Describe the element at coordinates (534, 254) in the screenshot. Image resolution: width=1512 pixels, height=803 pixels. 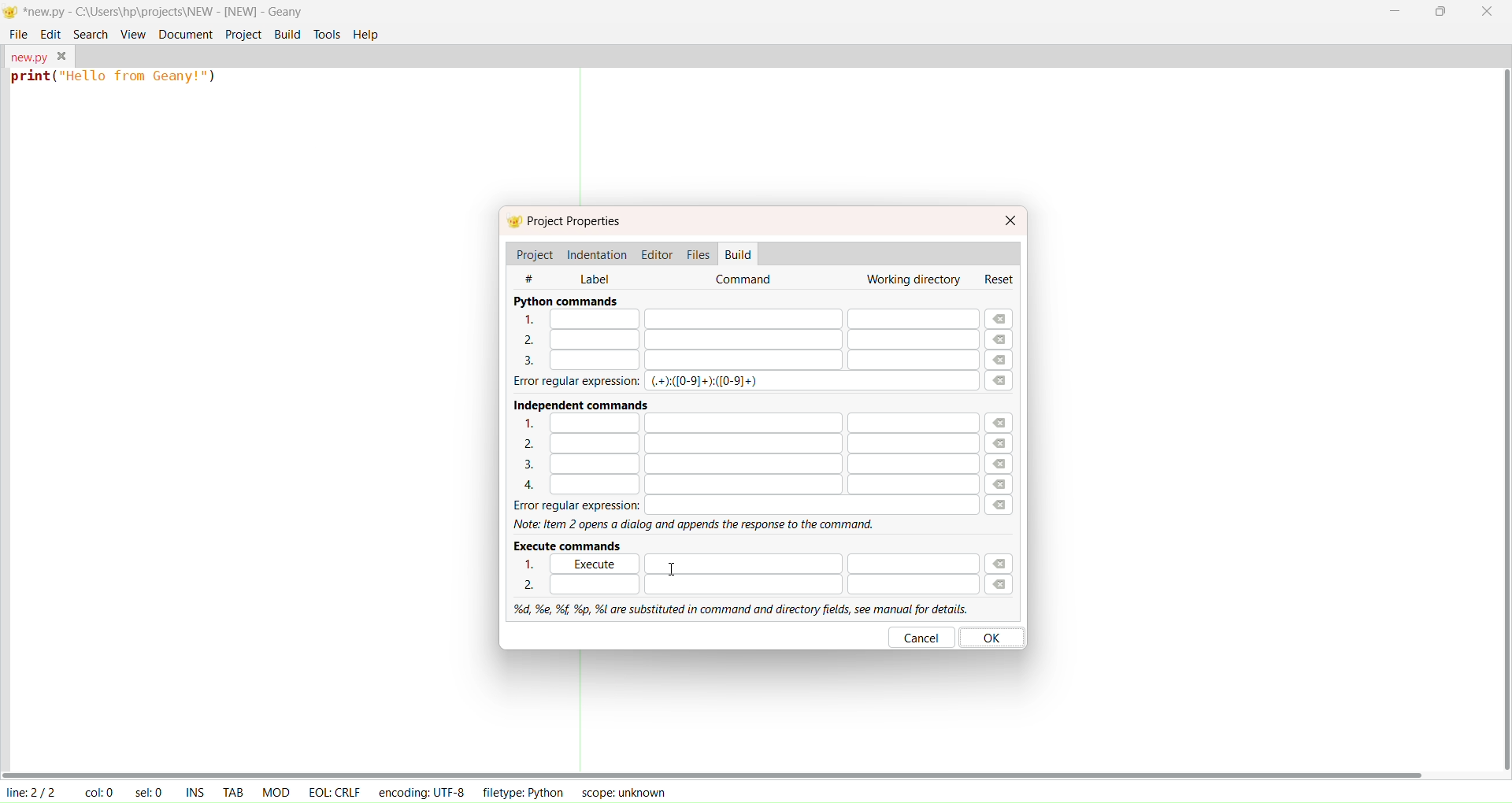
I see `project` at that location.